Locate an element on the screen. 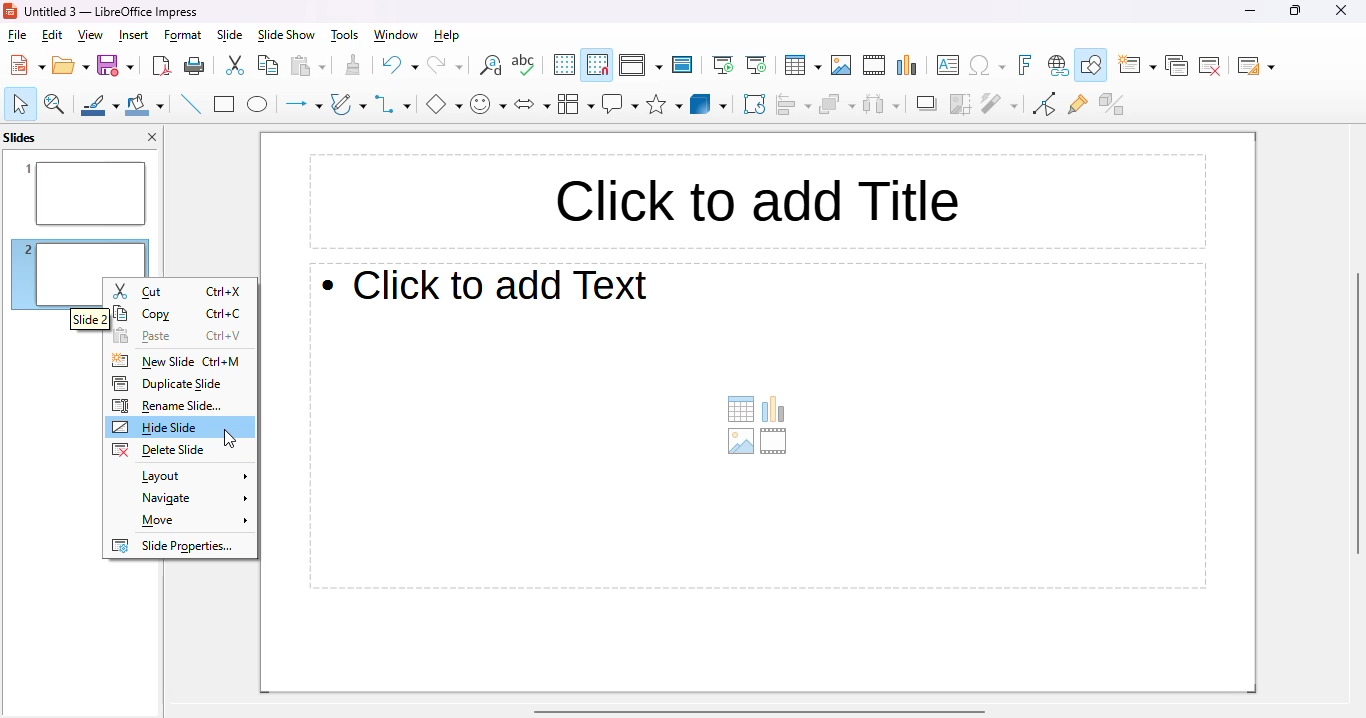 Image resolution: width=1366 pixels, height=718 pixels. toggle extrusion is located at coordinates (1111, 104).